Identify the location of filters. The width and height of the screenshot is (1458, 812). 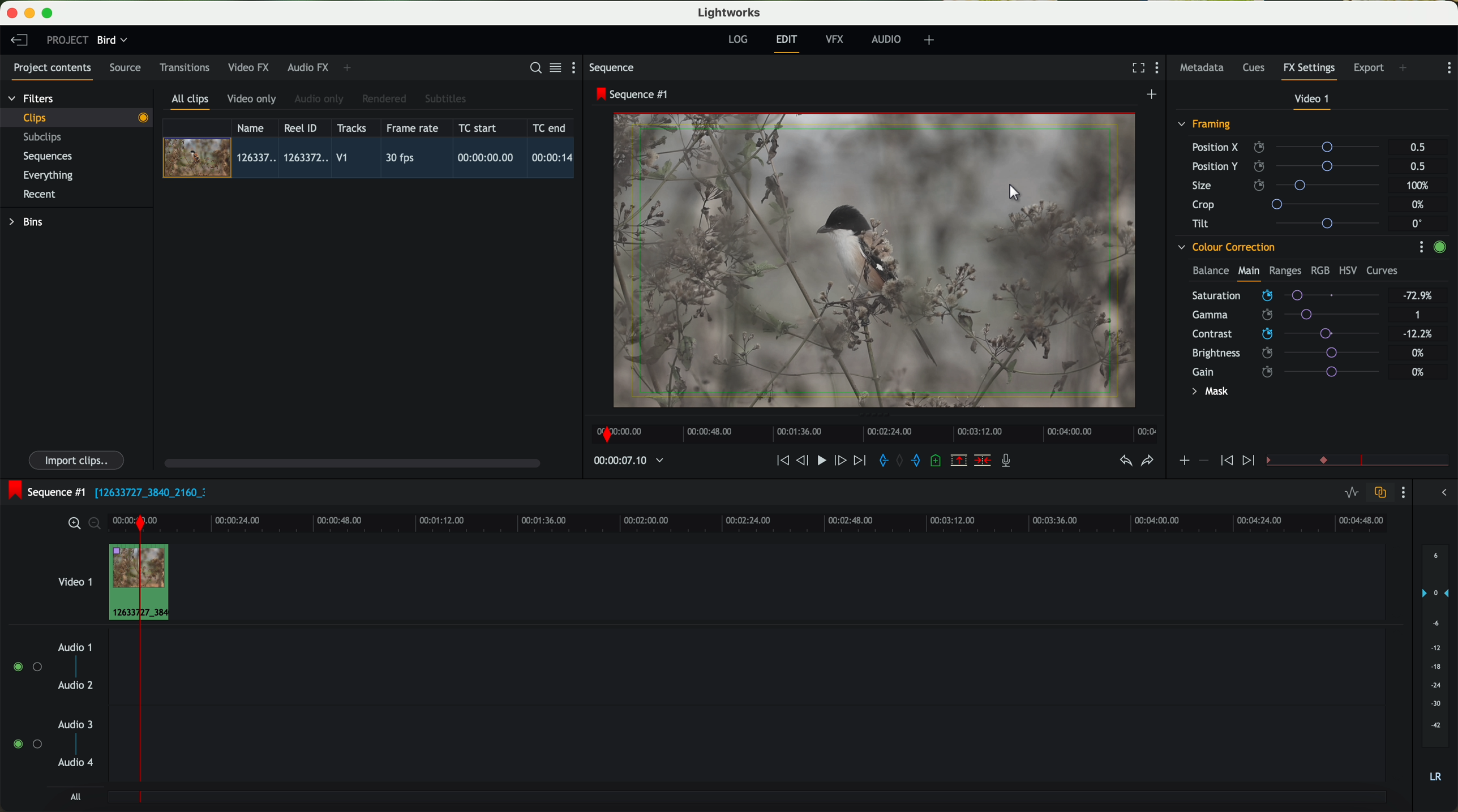
(32, 98).